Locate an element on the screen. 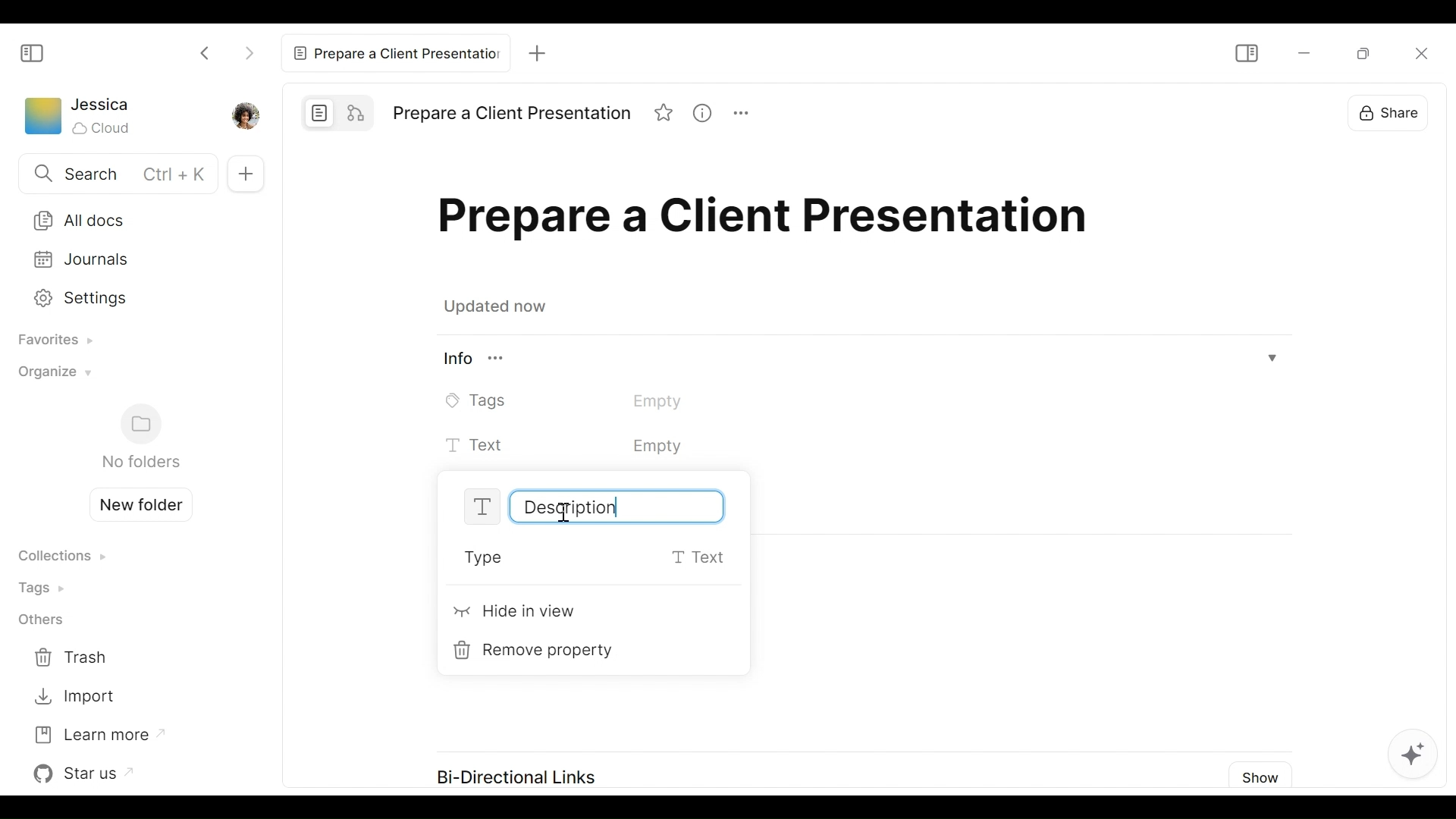  Page mode is located at coordinates (320, 112).